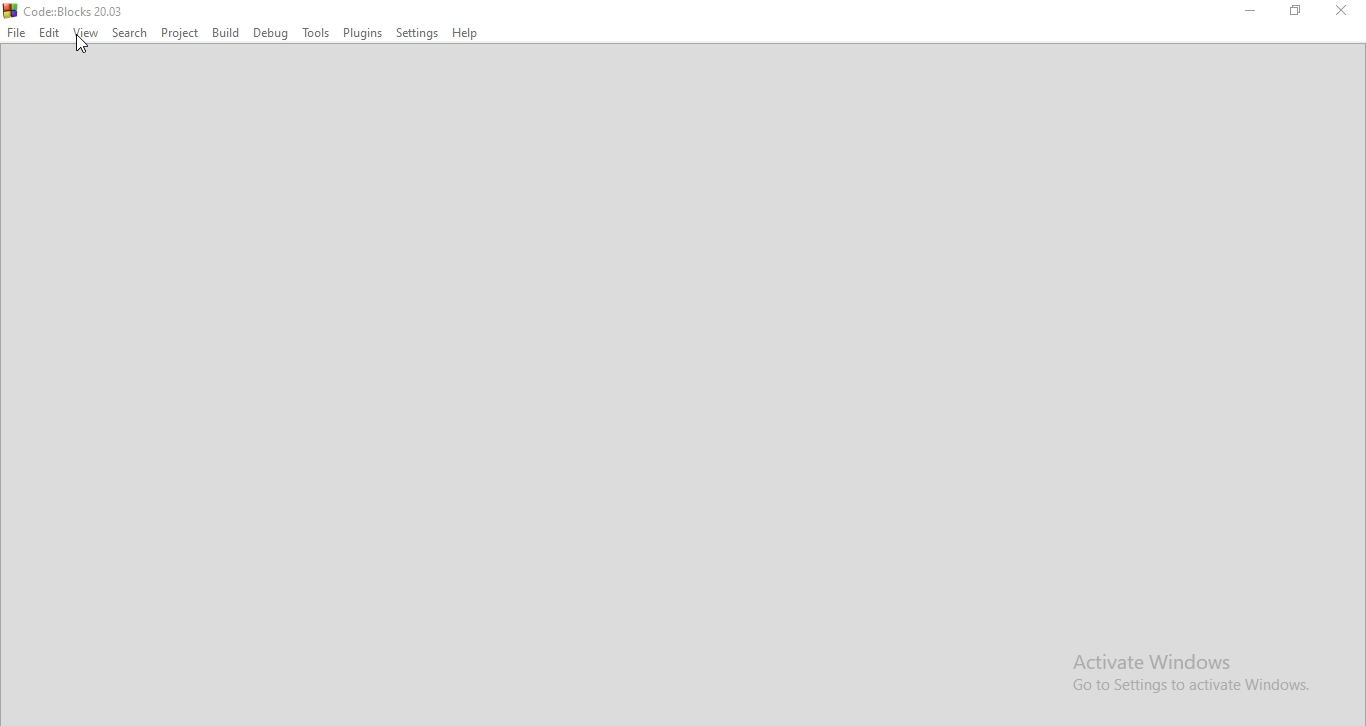 This screenshot has width=1366, height=726. I want to click on minimize, so click(1249, 13).